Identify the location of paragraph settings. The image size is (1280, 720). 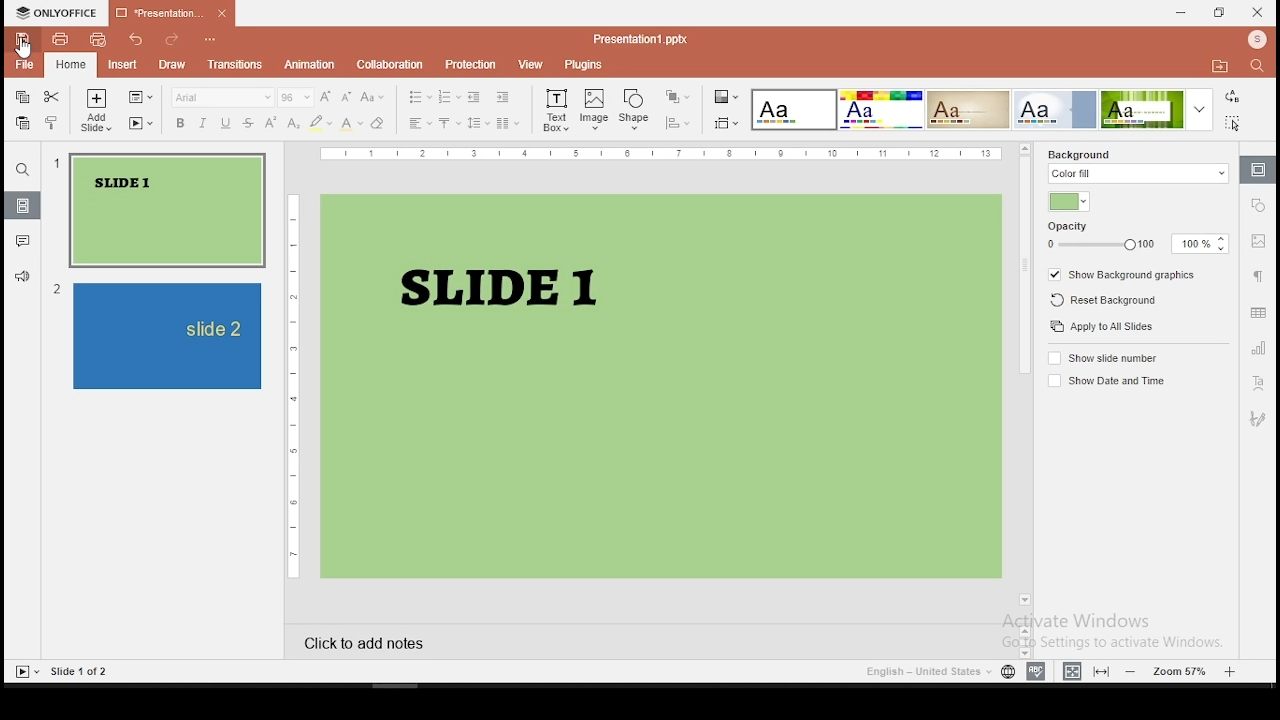
(1260, 280).